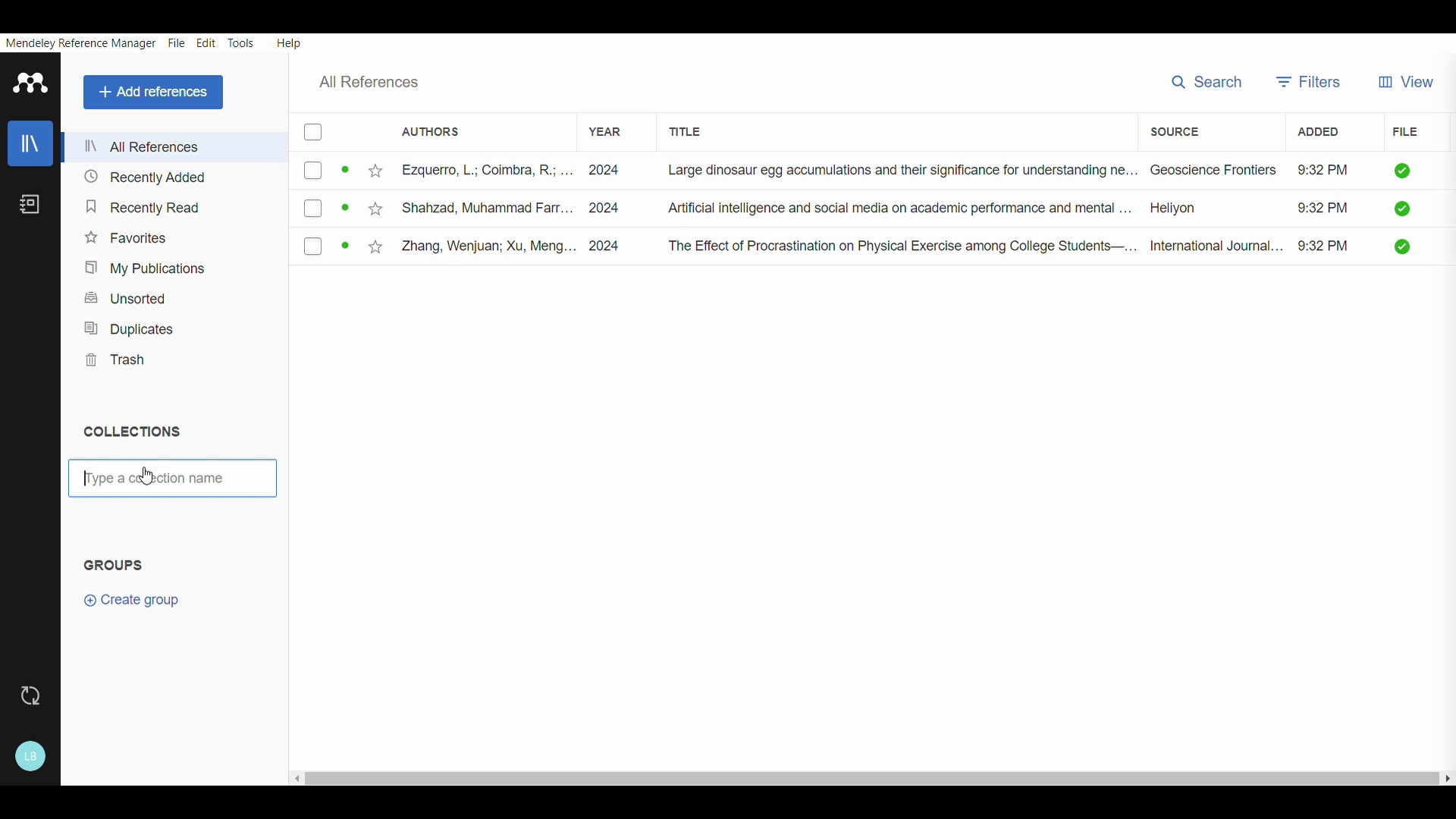  I want to click on All refrences, so click(143, 147).